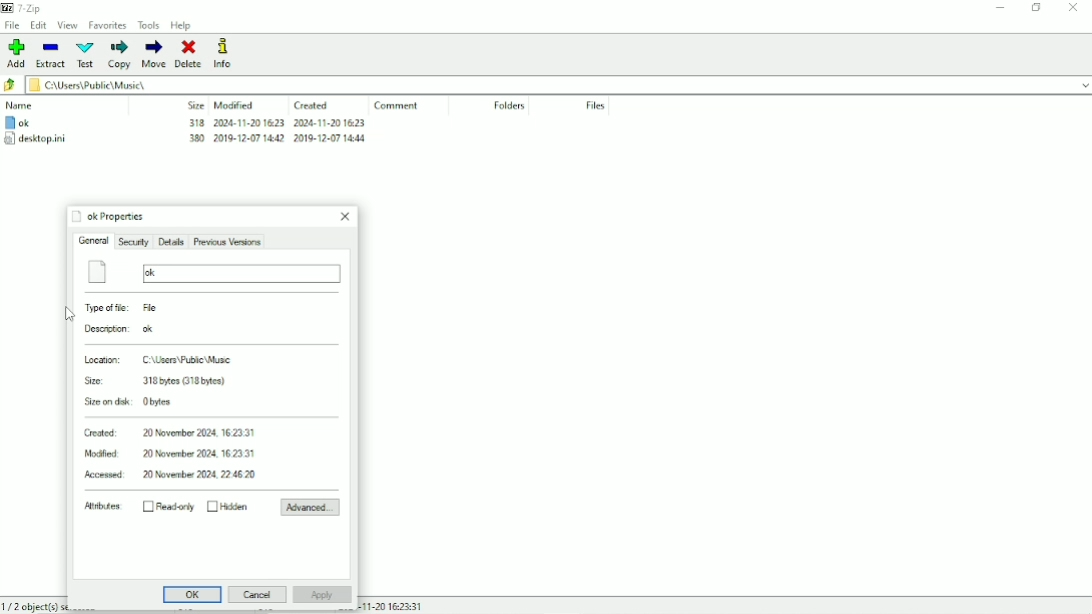  What do you see at coordinates (311, 507) in the screenshot?
I see `Advanced` at bounding box center [311, 507].